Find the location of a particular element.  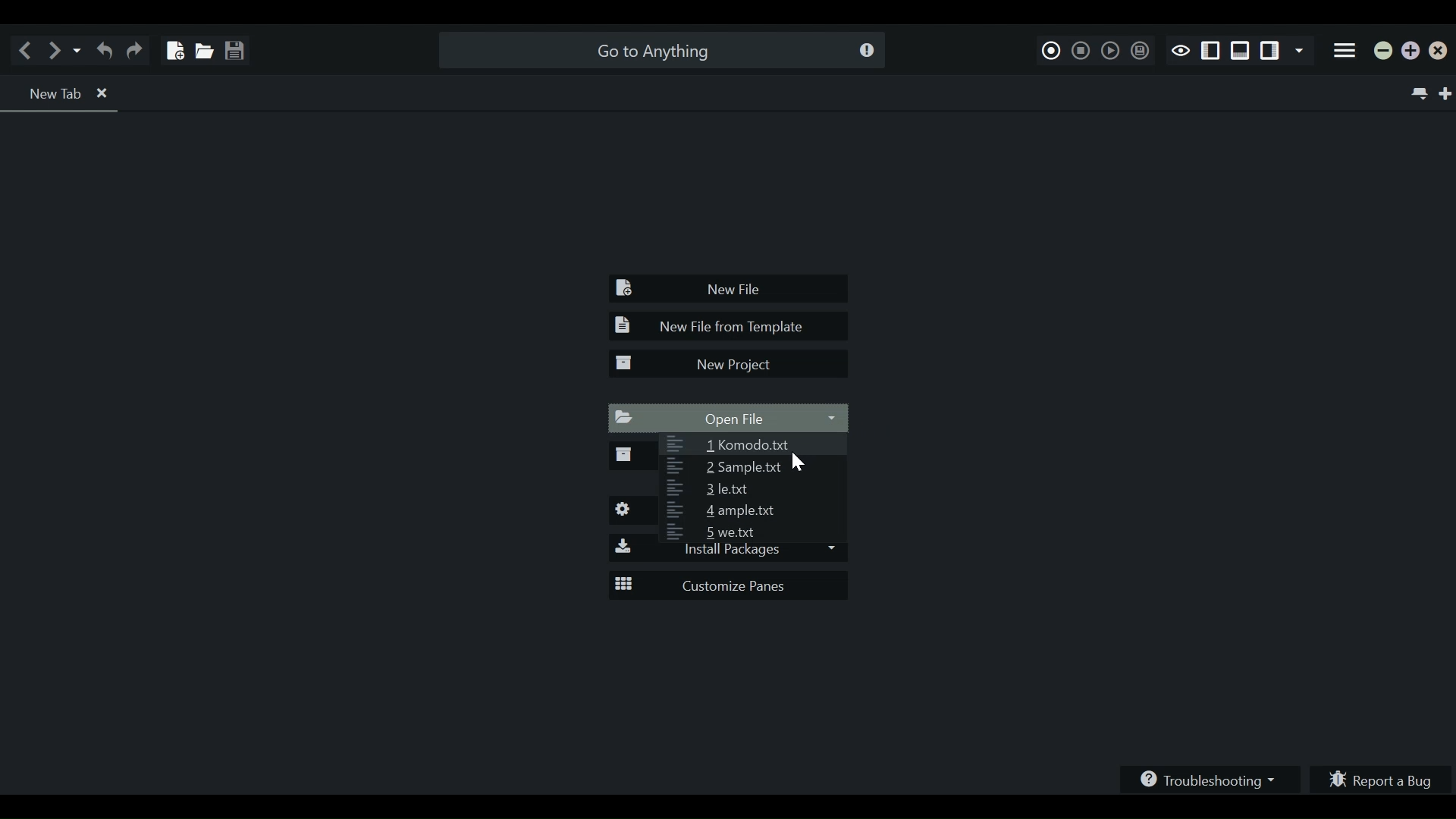

Redo is located at coordinates (137, 50).